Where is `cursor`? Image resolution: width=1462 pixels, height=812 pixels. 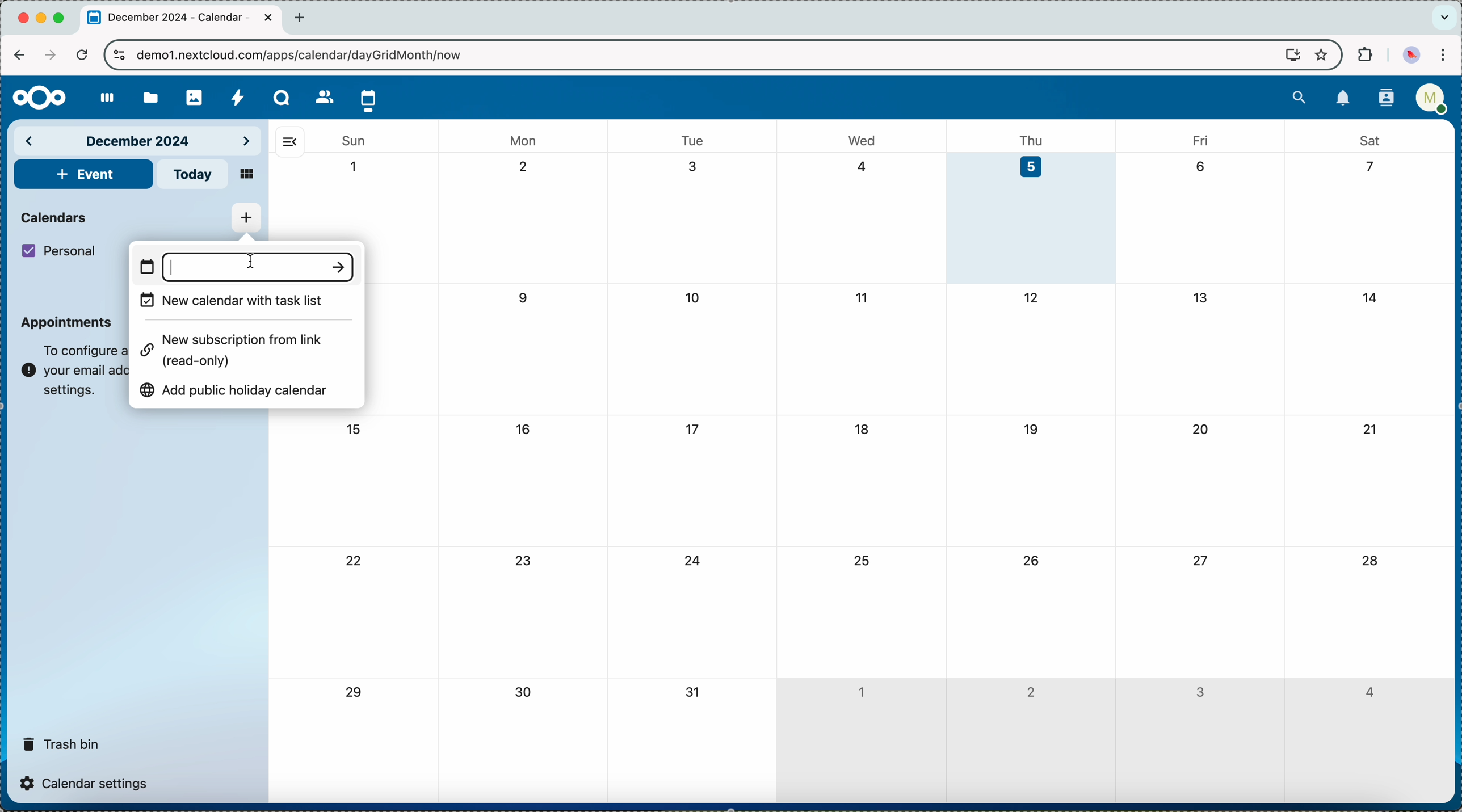 cursor is located at coordinates (252, 262).